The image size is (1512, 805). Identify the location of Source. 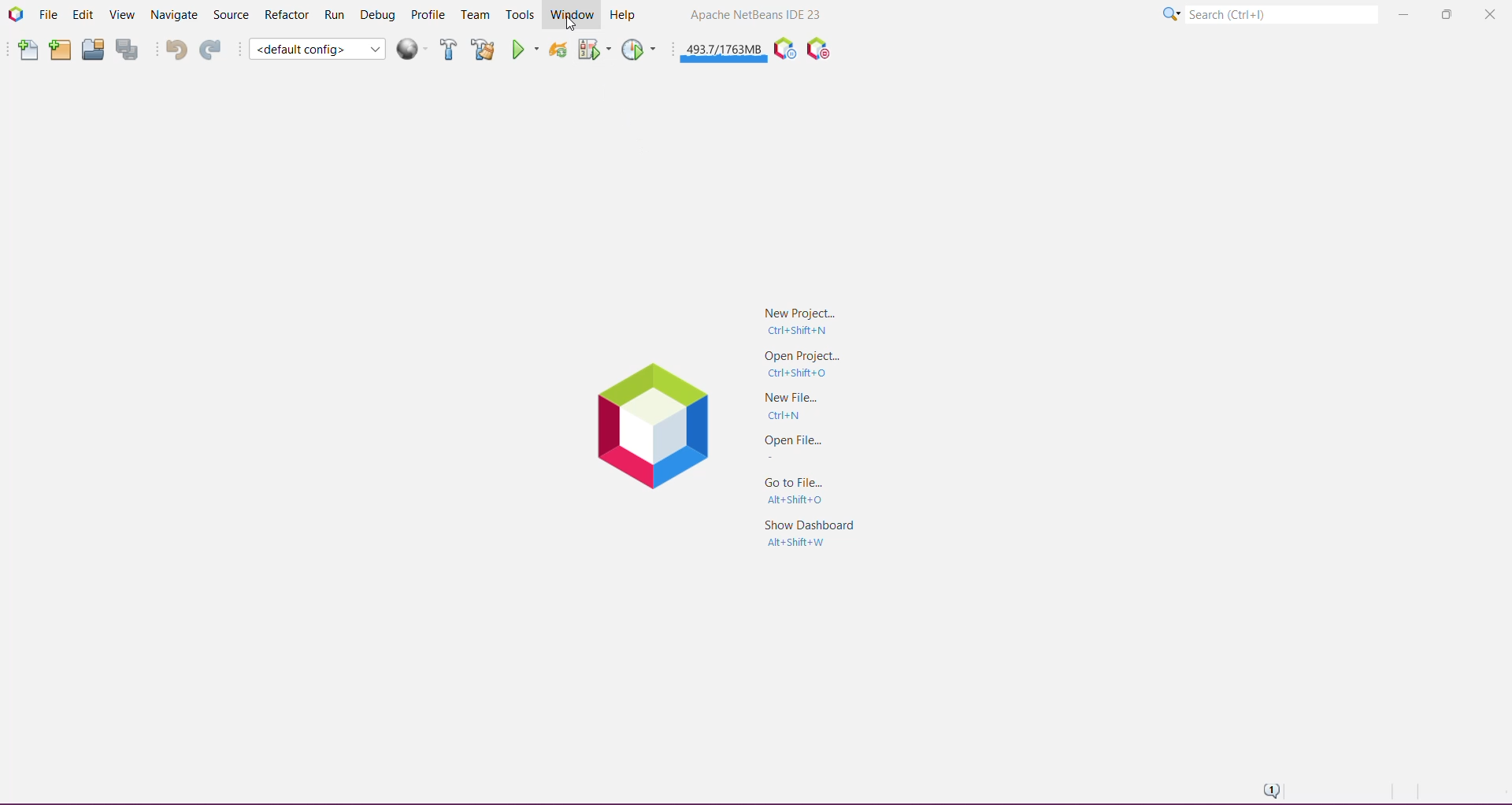
(230, 15).